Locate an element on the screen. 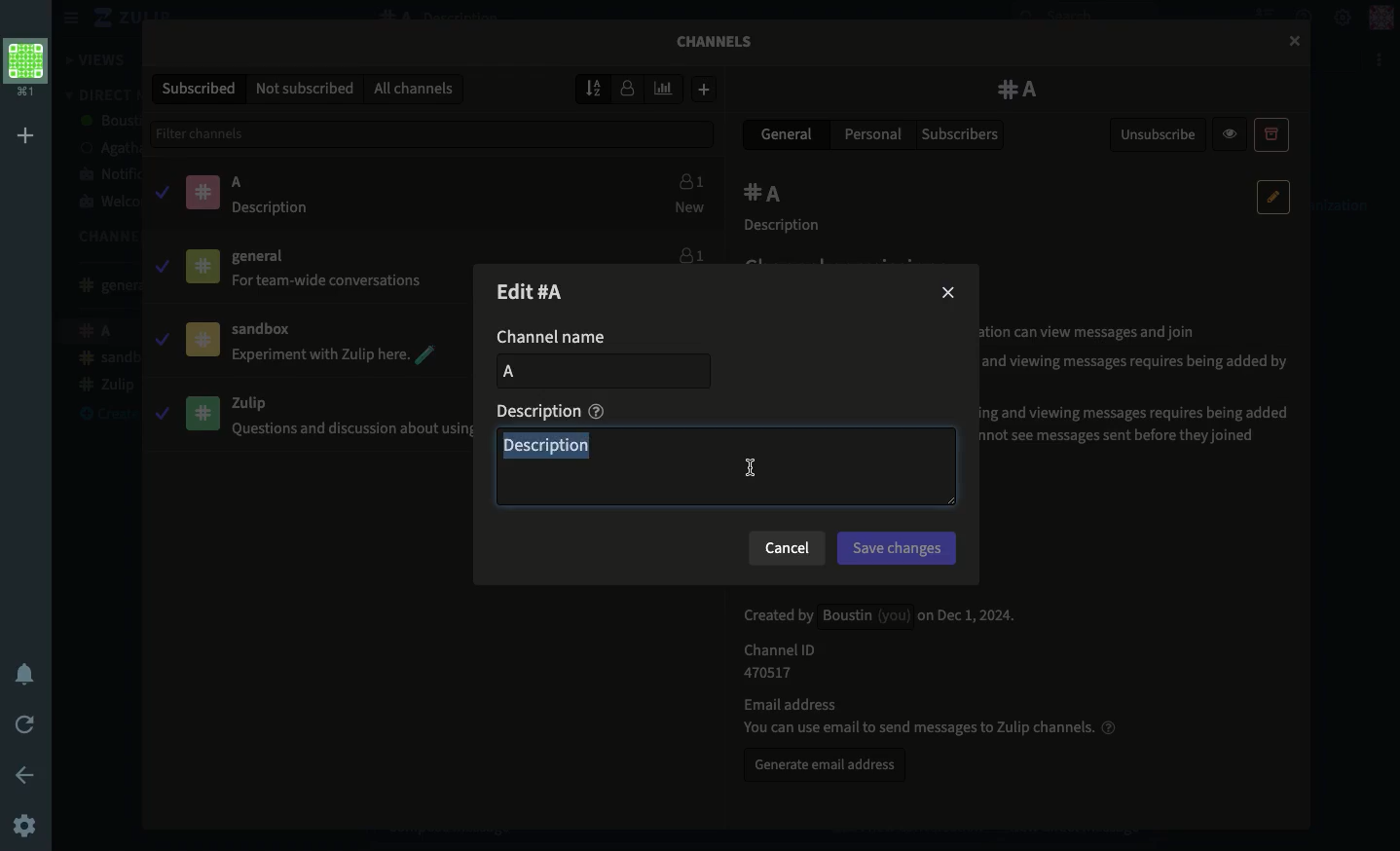 The width and height of the screenshot is (1400, 851). Sort by name is located at coordinates (596, 88).